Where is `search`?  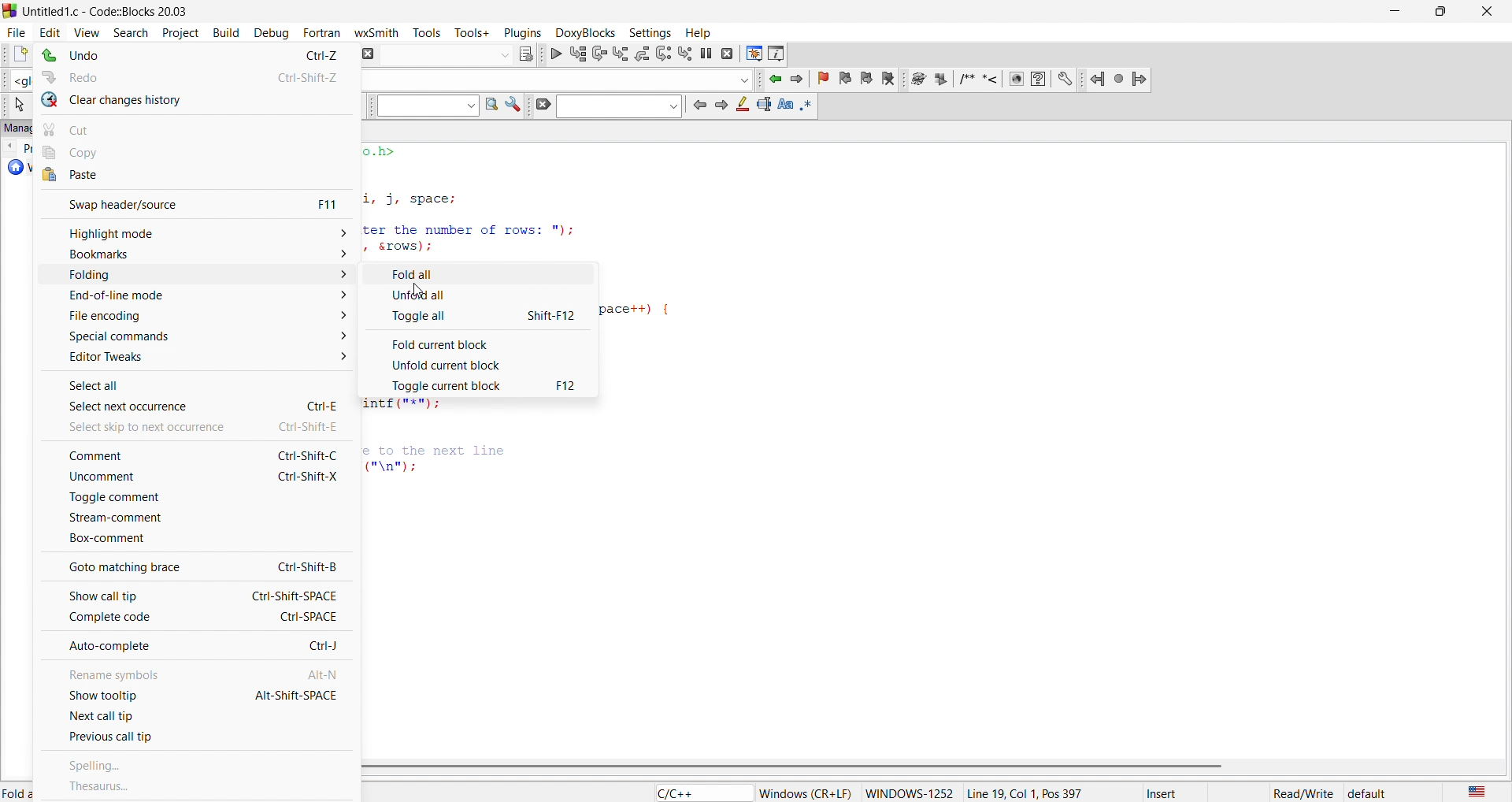
search is located at coordinates (125, 31).